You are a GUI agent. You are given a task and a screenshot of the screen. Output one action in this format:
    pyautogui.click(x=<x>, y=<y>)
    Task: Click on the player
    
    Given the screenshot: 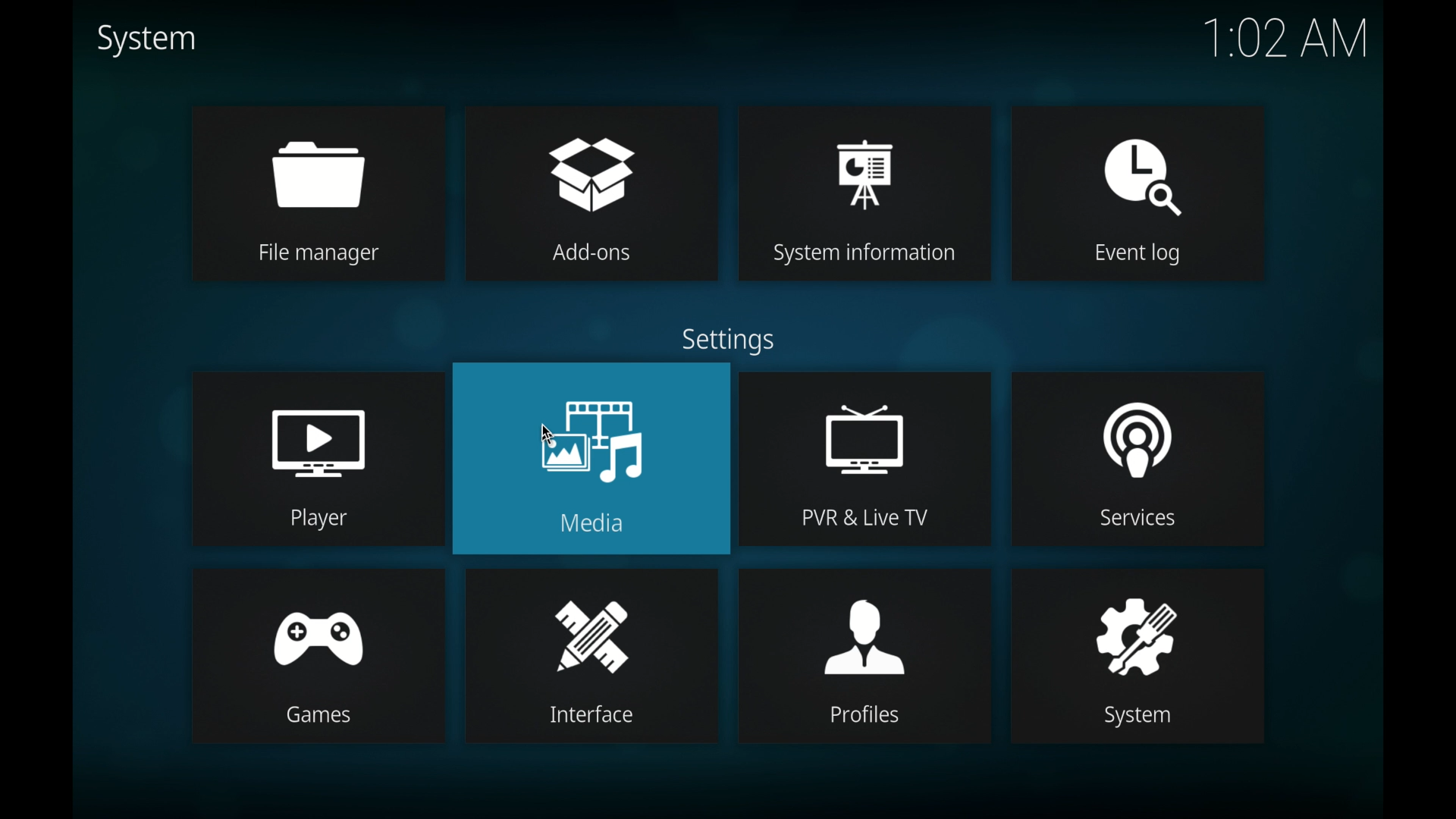 What is the action you would take?
    pyautogui.click(x=318, y=431)
    